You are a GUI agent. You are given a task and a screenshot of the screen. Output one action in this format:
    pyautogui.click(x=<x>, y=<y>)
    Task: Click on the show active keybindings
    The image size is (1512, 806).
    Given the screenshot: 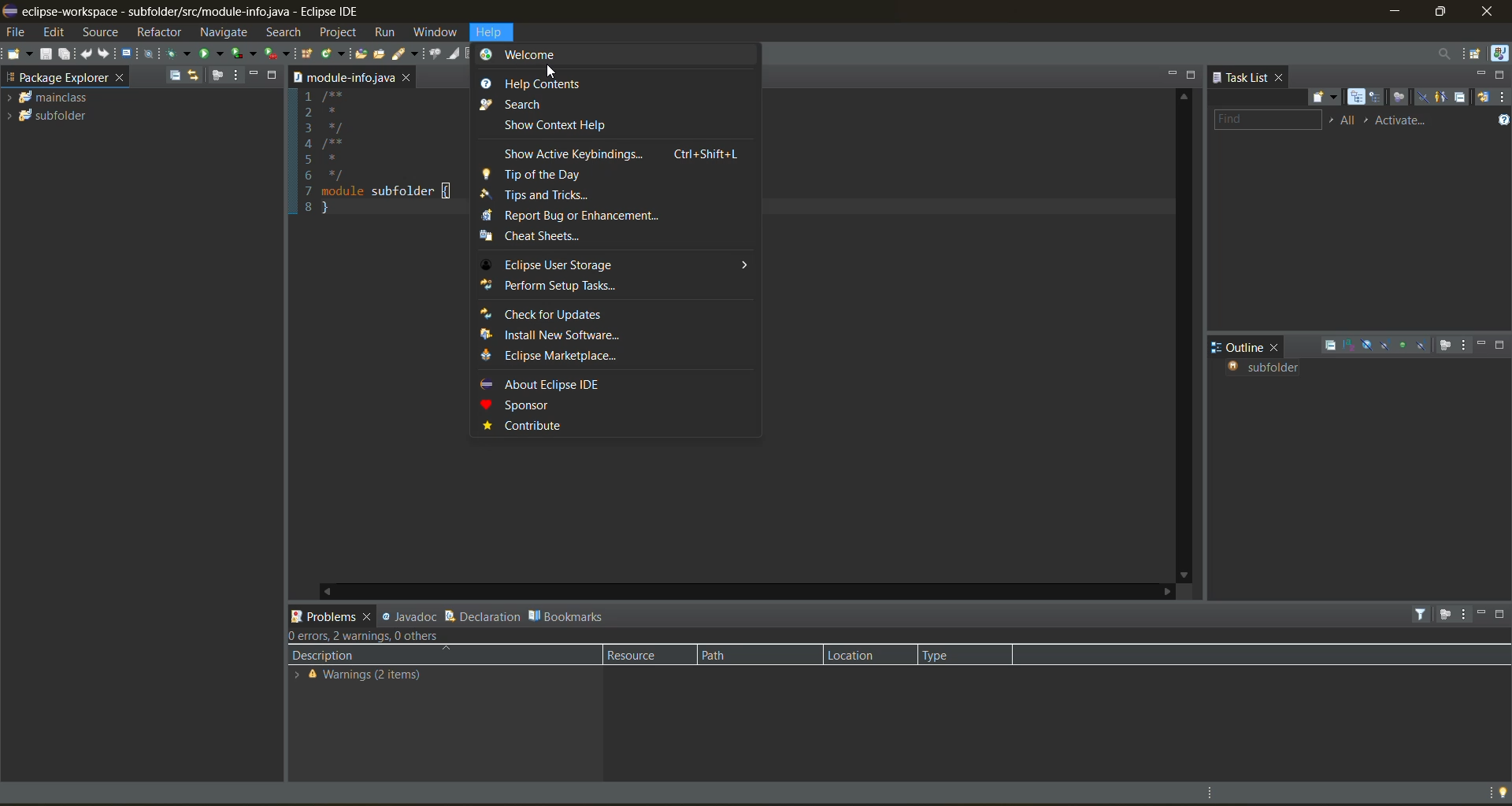 What is the action you would take?
    pyautogui.click(x=615, y=154)
    